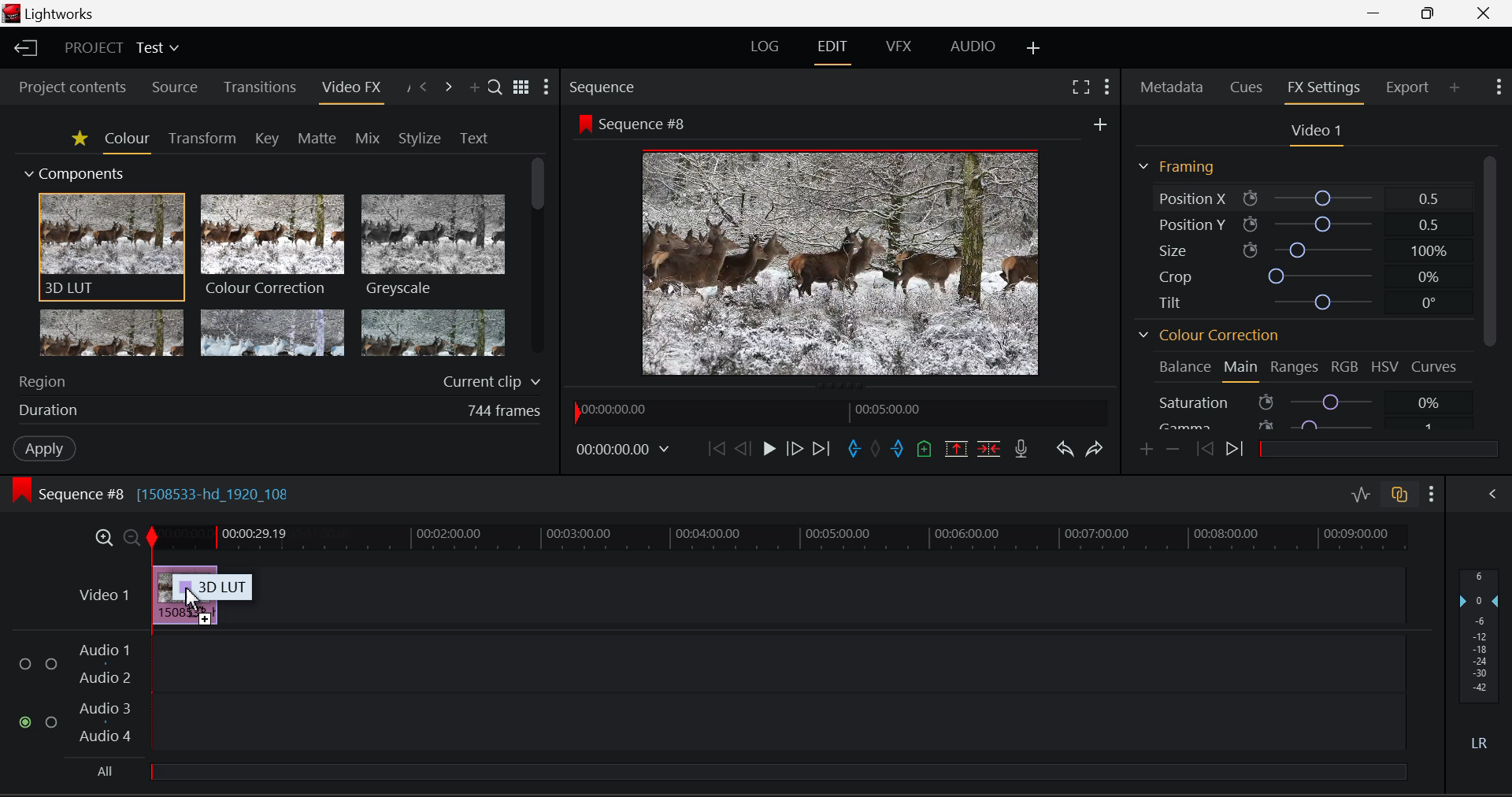 The width and height of the screenshot is (1512, 797). What do you see at coordinates (1310, 250) in the screenshot?
I see `Size` at bounding box center [1310, 250].